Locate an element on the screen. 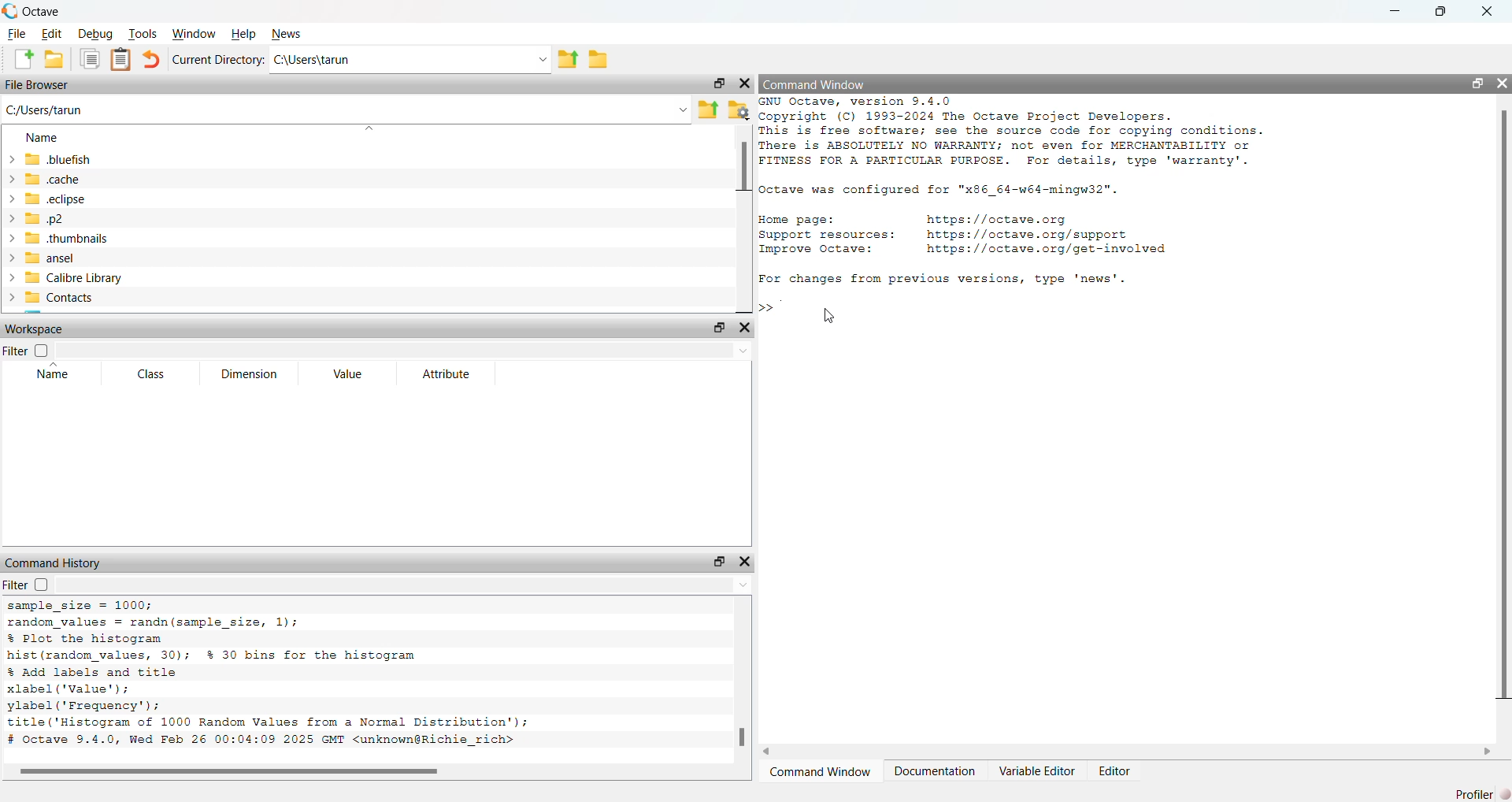 This screenshot has height=802, width=1512. maximize is located at coordinates (717, 84).